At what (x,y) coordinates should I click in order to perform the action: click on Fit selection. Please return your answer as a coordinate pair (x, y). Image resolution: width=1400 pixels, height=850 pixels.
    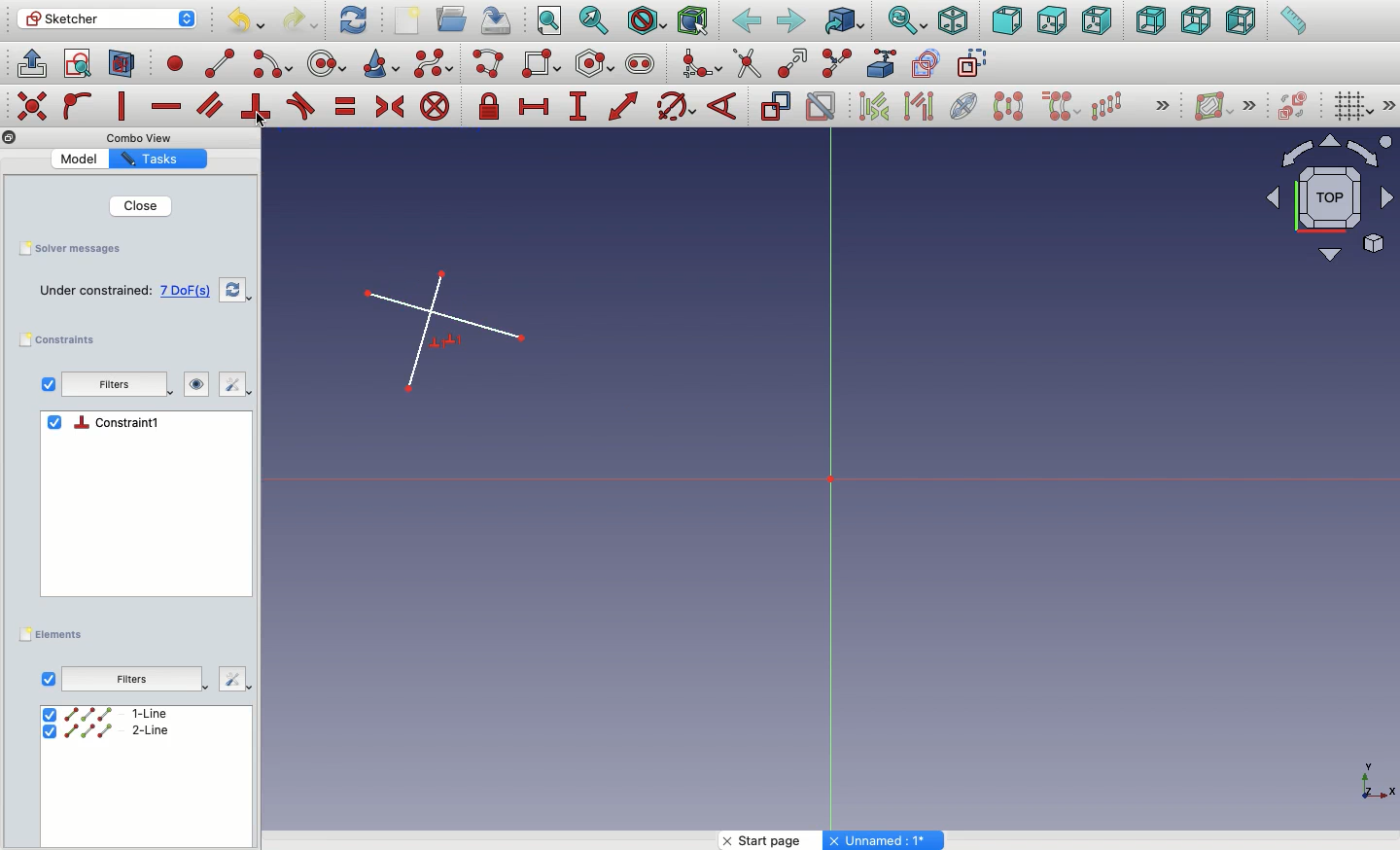
    Looking at the image, I should click on (596, 19).